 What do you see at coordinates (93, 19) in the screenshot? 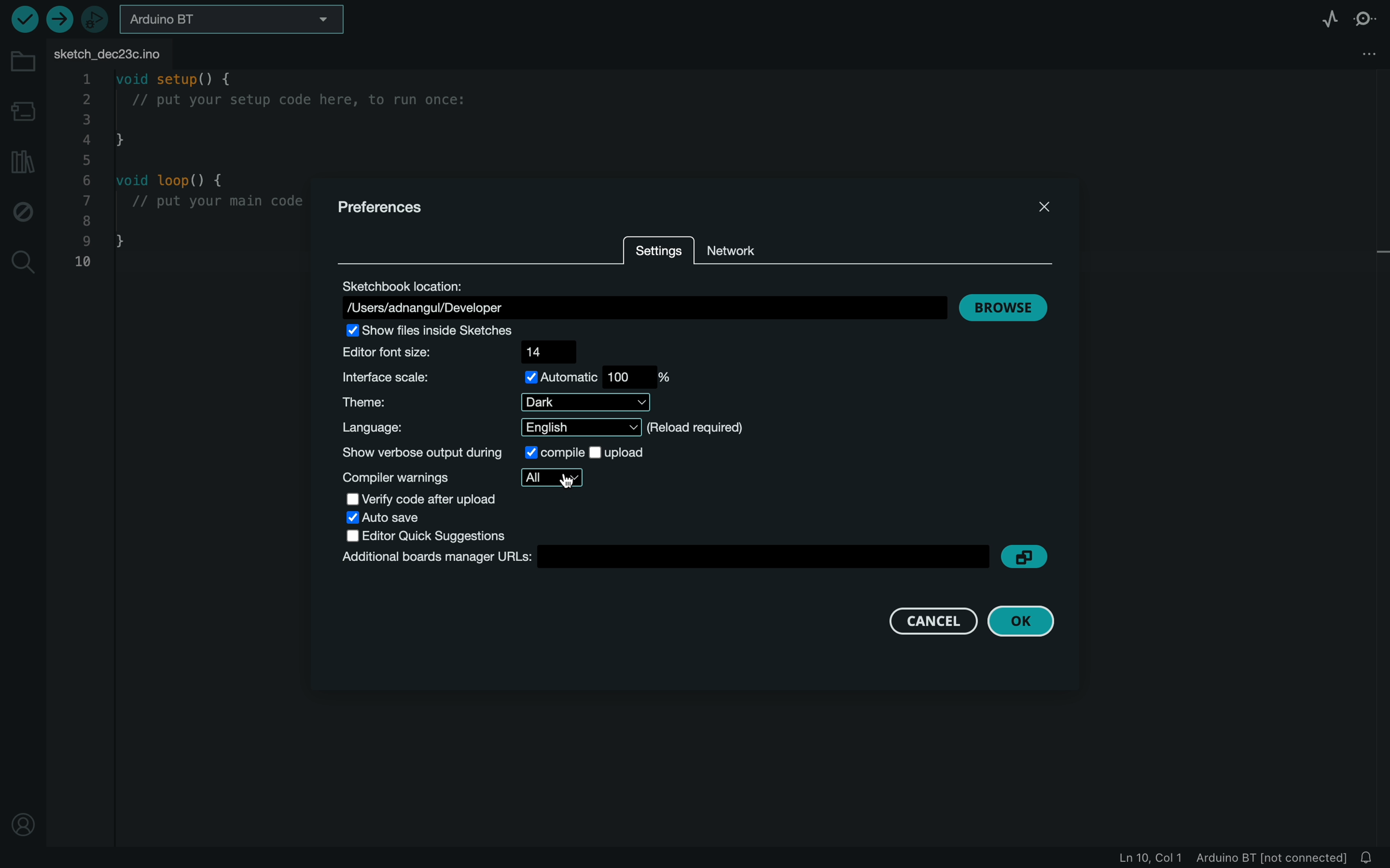
I see `debugger` at bounding box center [93, 19].